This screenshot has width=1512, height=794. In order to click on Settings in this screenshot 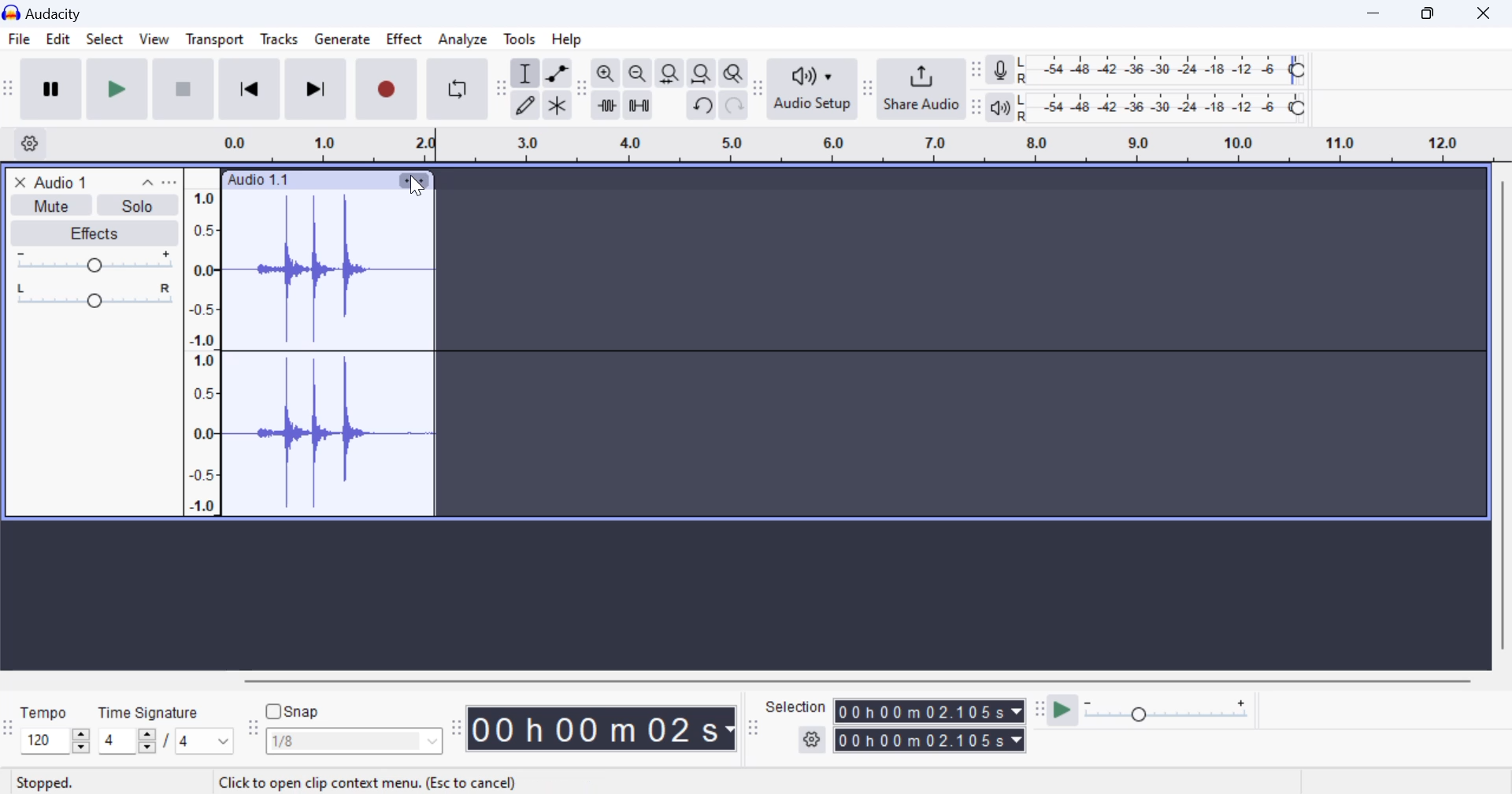, I will do `click(32, 143)`.